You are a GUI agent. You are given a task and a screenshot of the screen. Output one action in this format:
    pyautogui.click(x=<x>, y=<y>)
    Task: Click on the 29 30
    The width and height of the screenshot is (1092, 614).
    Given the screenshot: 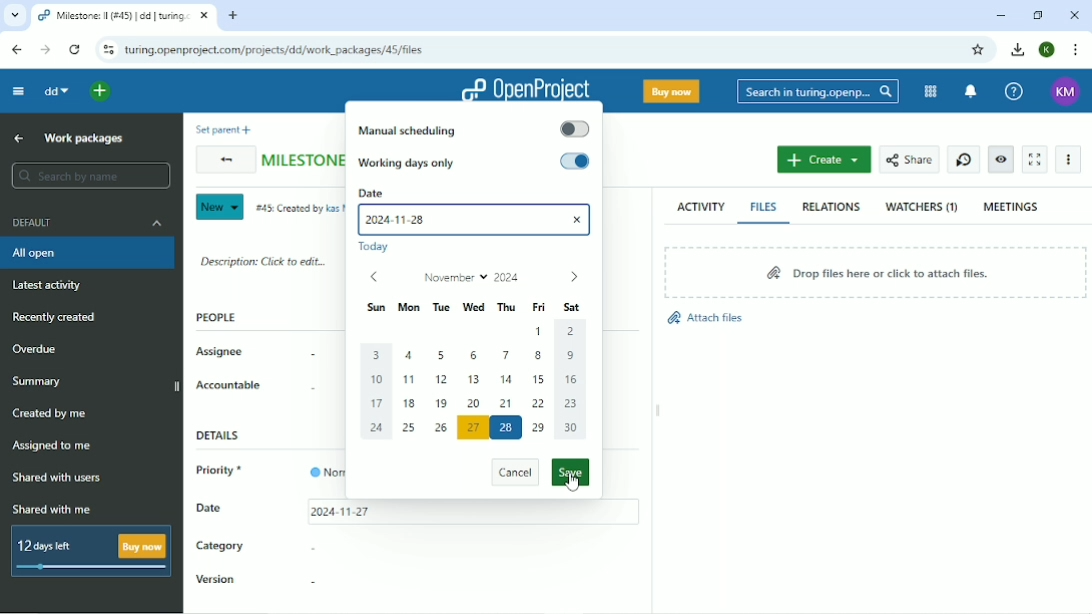 What is the action you would take?
    pyautogui.click(x=556, y=426)
    